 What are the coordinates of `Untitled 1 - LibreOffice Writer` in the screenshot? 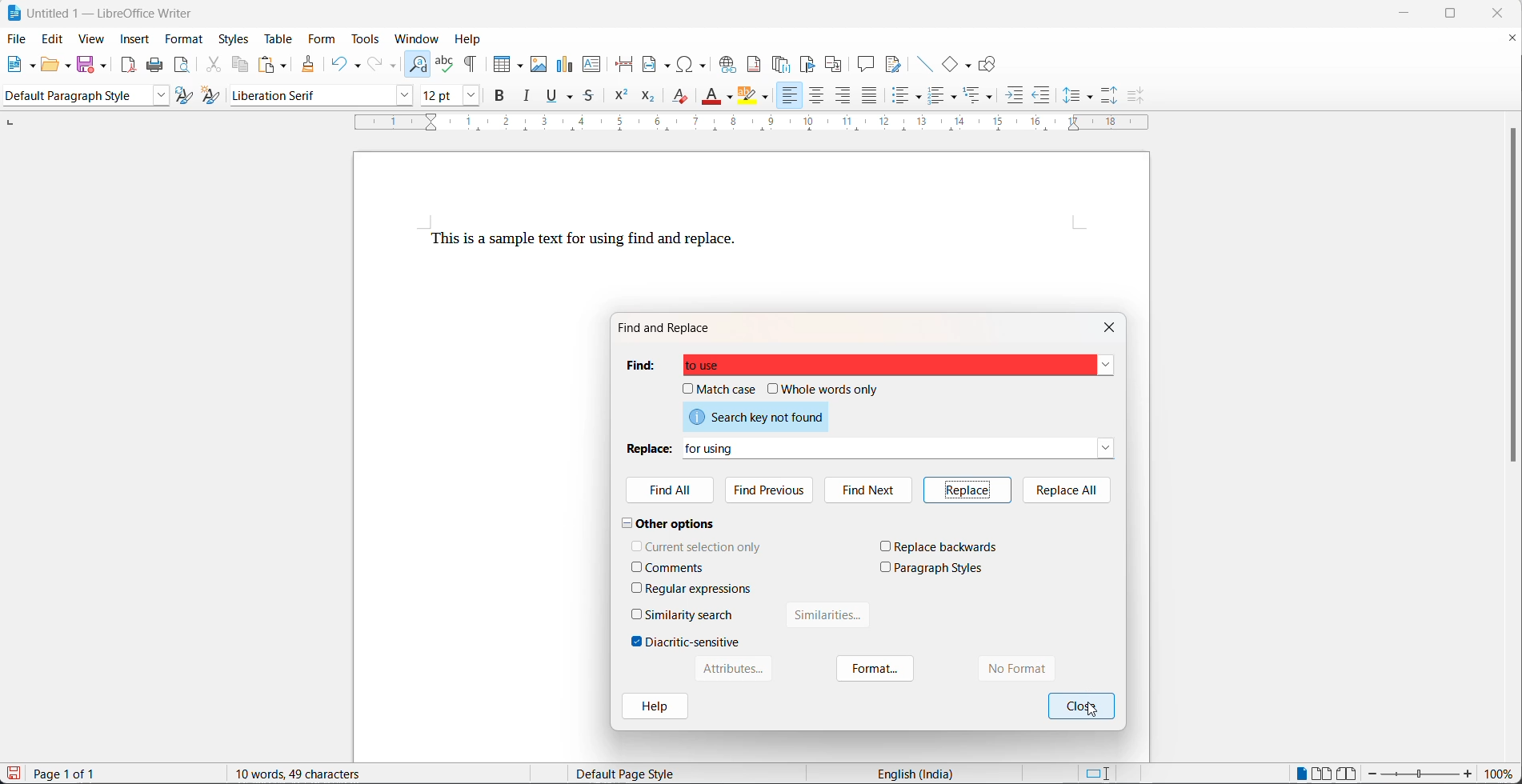 It's located at (102, 12).